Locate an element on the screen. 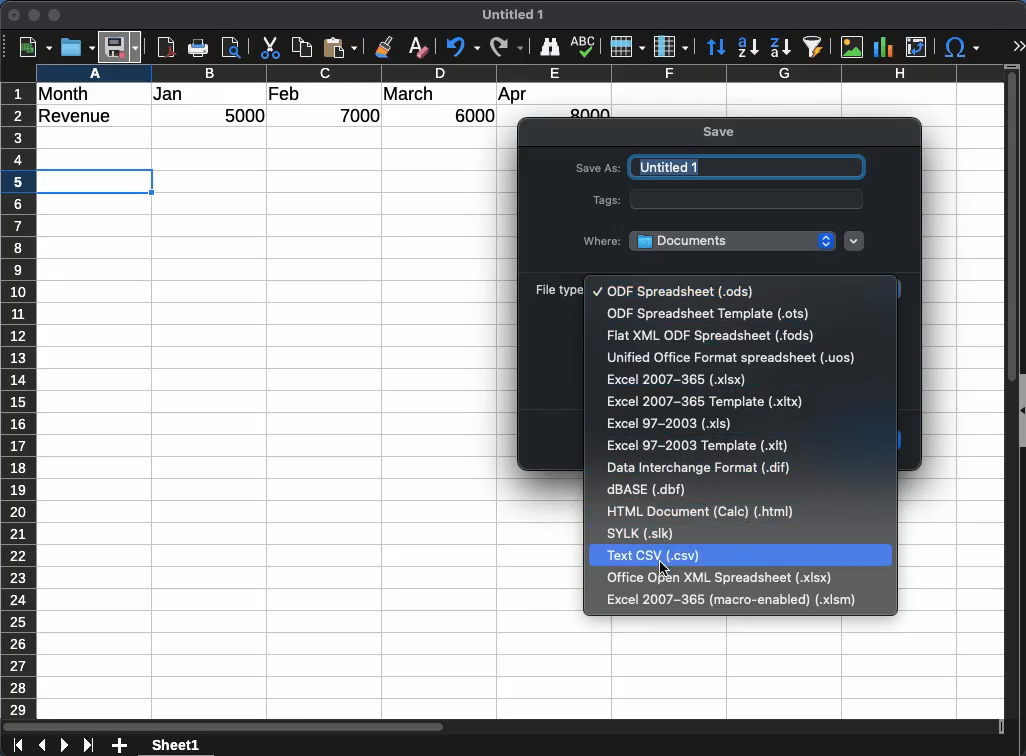 The height and width of the screenshot is (756, 1026). unified office format spreadsheet is located at coordinates (732, 358).